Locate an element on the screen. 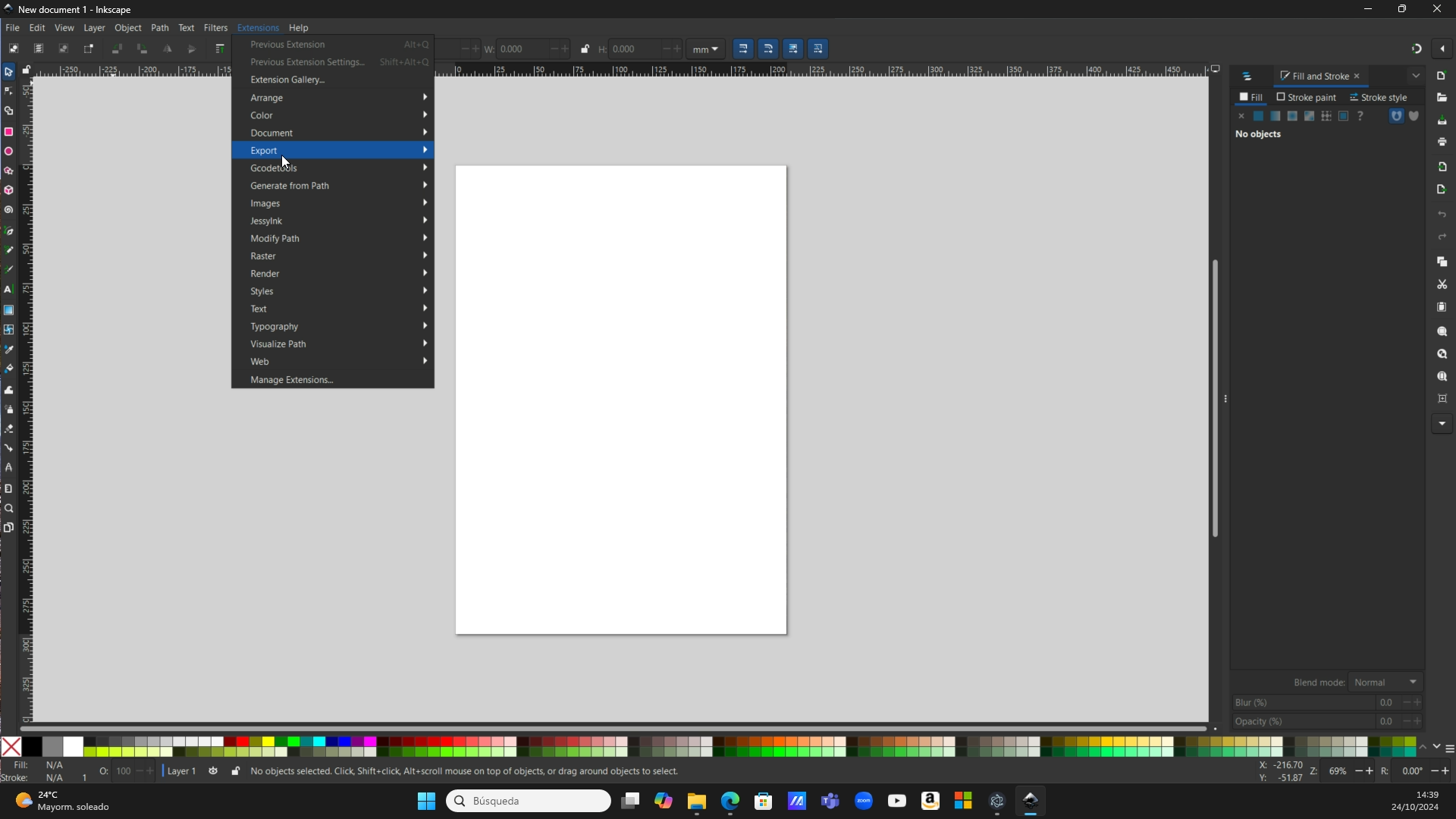  Text is located at coordinates (337, 309).